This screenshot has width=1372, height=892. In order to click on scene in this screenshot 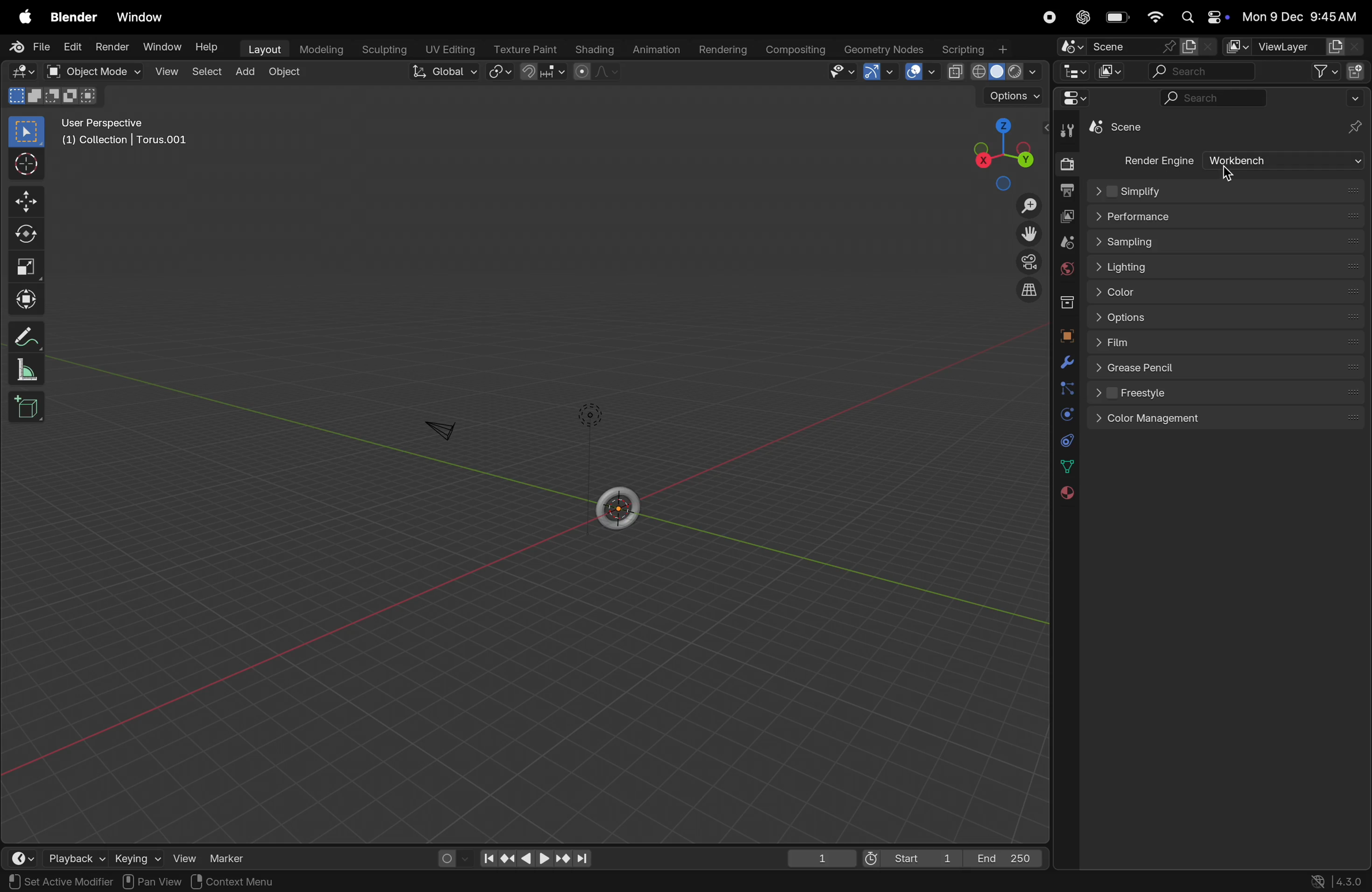, I will do `click(1113, 46)`.